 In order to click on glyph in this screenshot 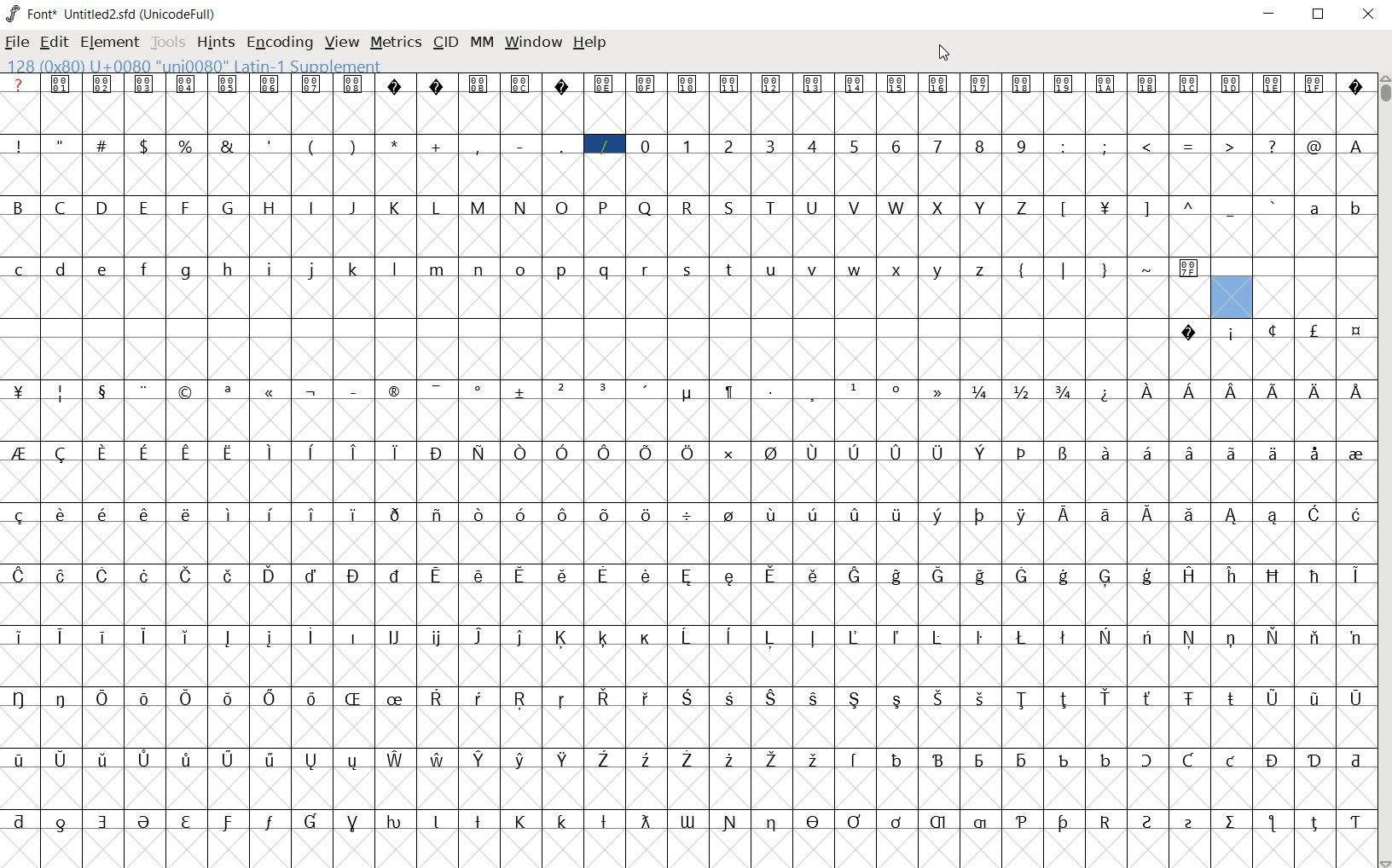, I will do `click(980, 516)`.